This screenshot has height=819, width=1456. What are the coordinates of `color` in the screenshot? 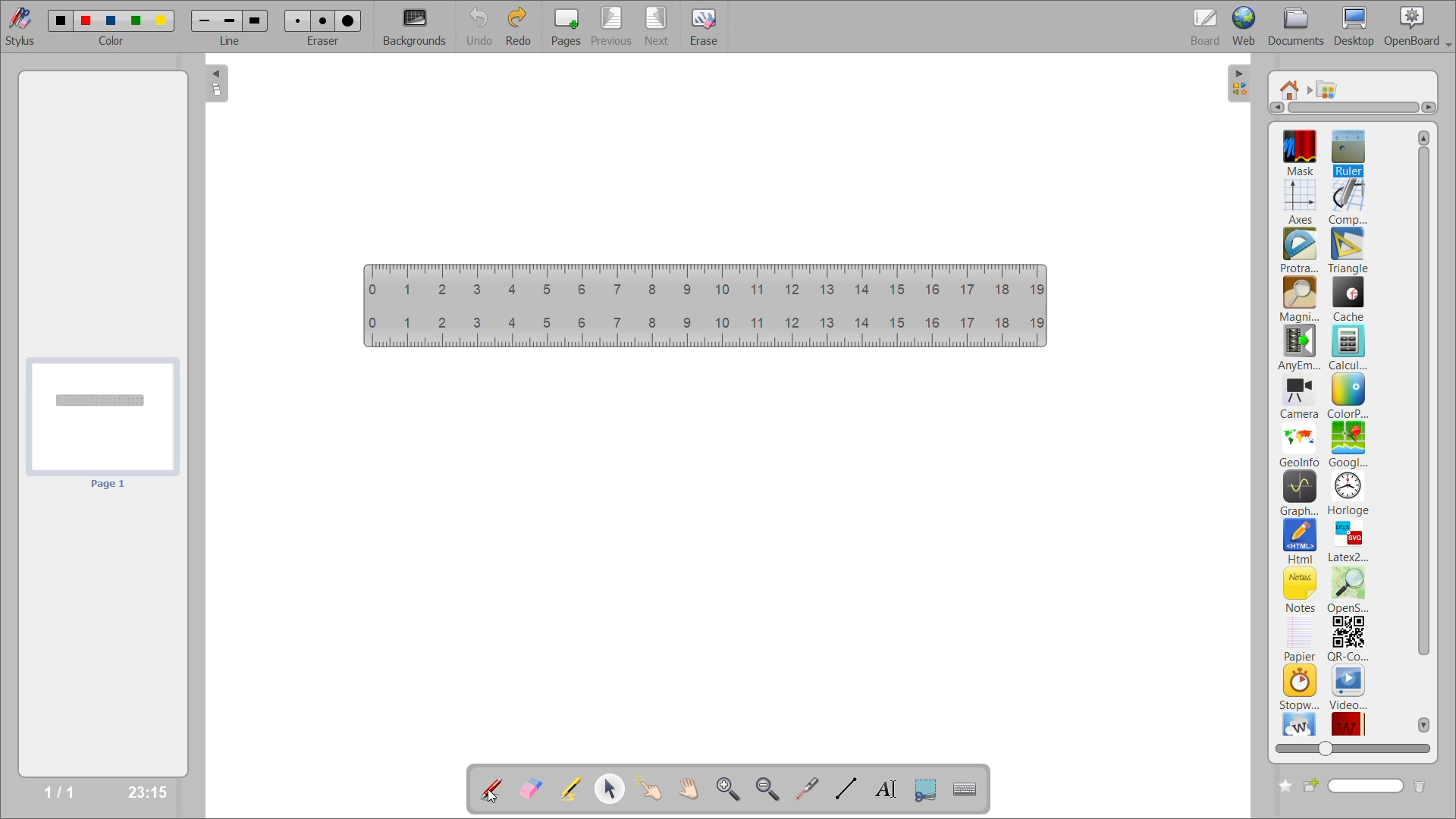 It's located at (110, 41).